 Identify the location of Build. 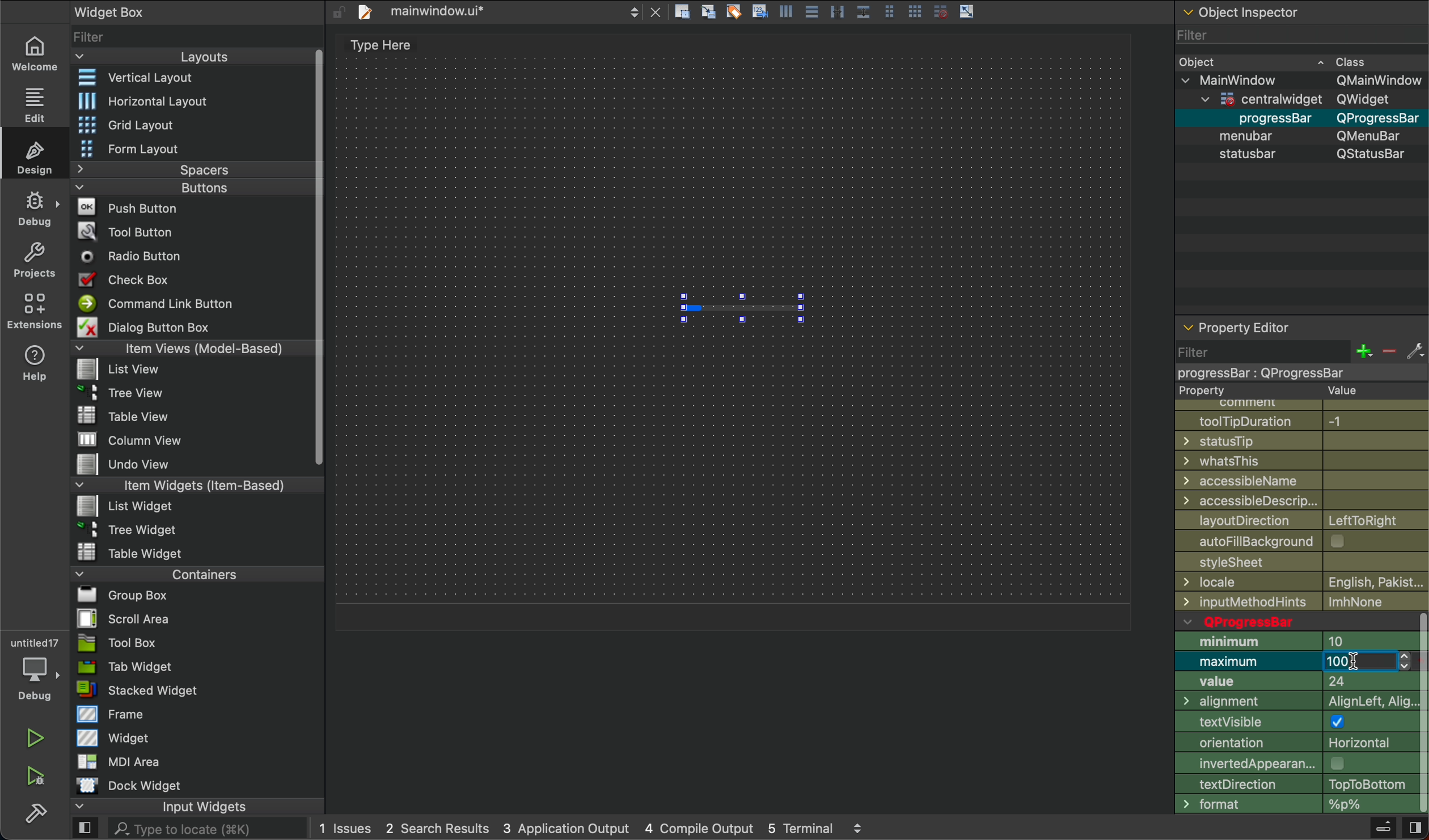
(1382, 829).